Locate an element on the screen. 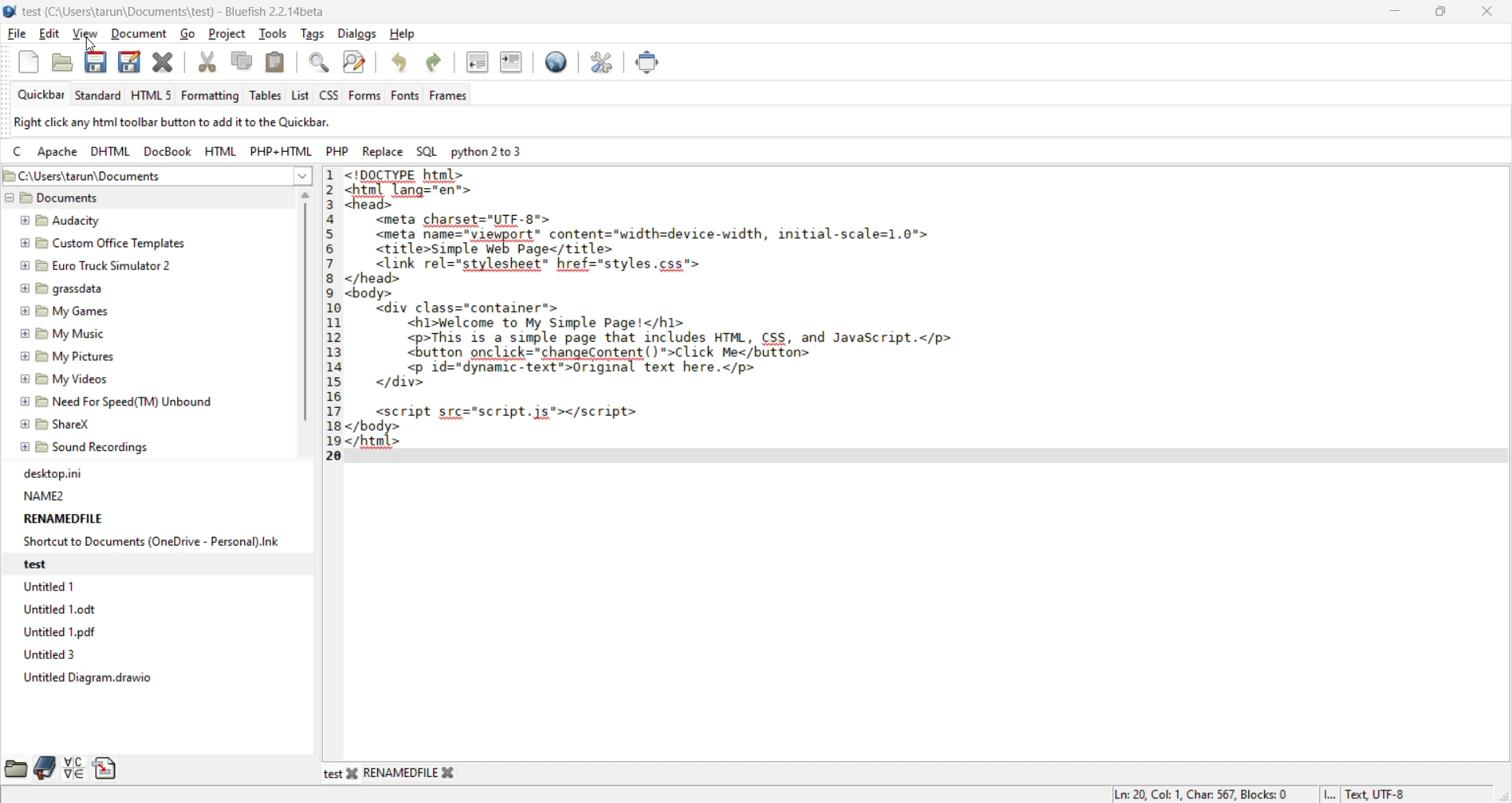 This screenshot has height=803, width=1512. NAME2 is located at coordinates (45, 495).